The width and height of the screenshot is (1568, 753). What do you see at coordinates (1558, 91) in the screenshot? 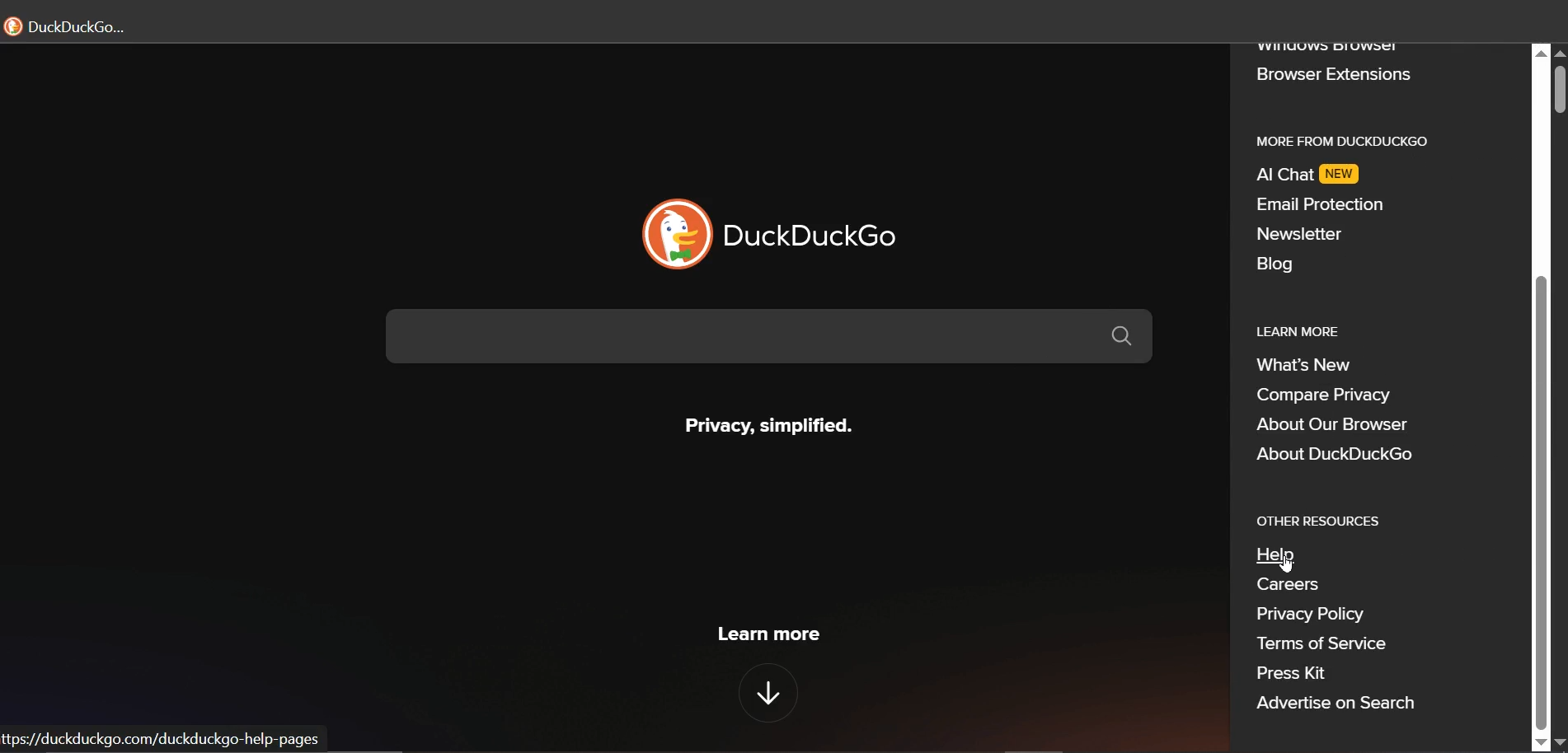
I see `scroll` at bounding box center [1558, 91].